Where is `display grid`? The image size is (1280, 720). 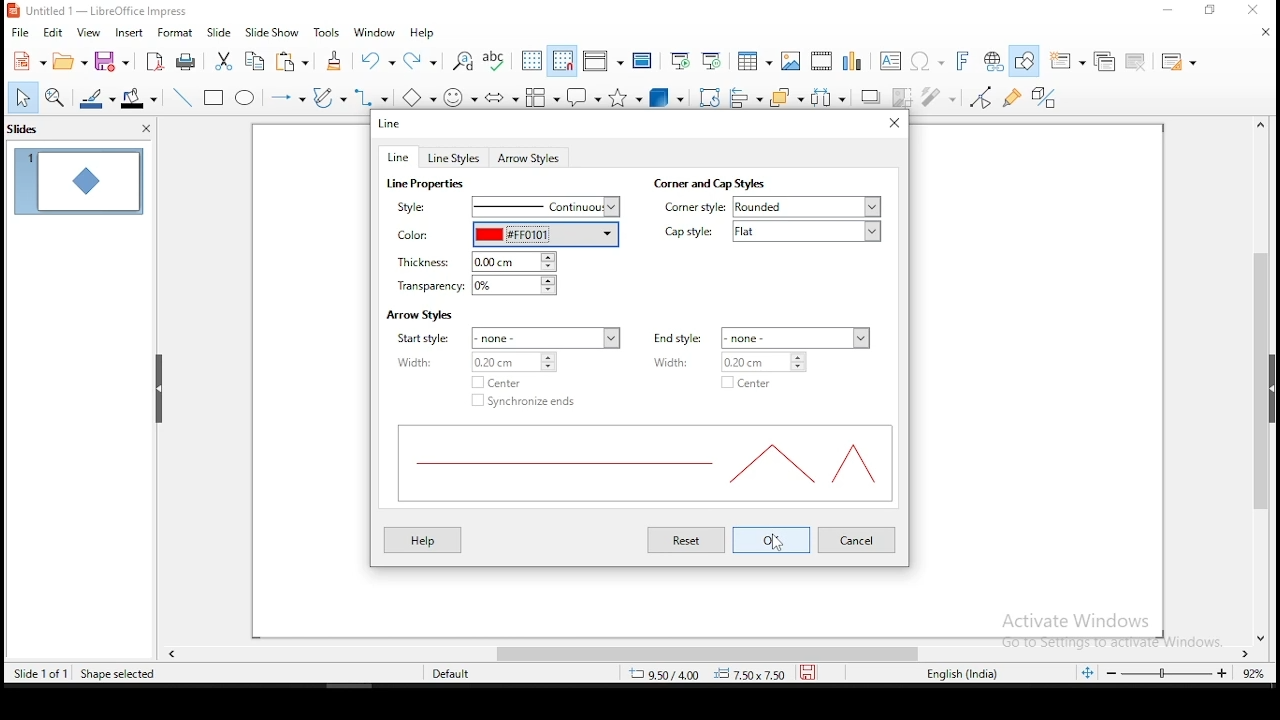 display grid is located at coordinates (532, 61).